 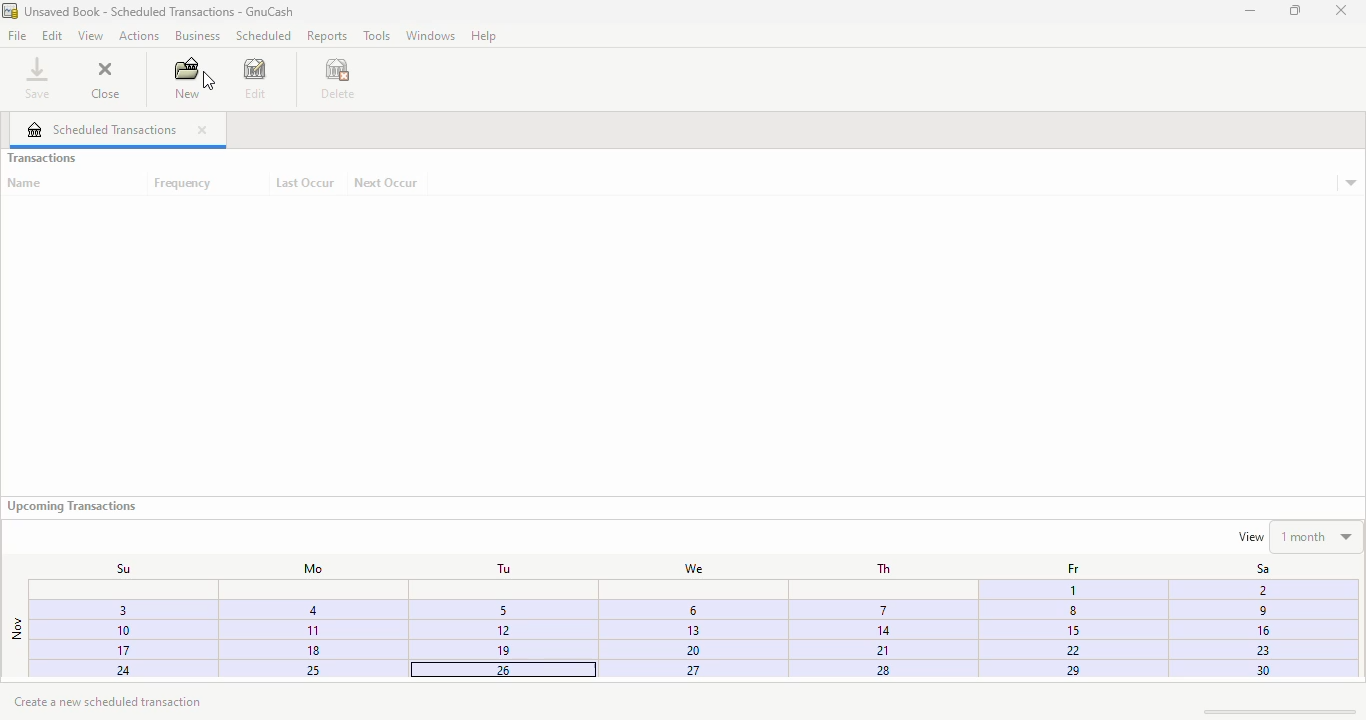 I want to click on 22, so click(x=1073, y=650).